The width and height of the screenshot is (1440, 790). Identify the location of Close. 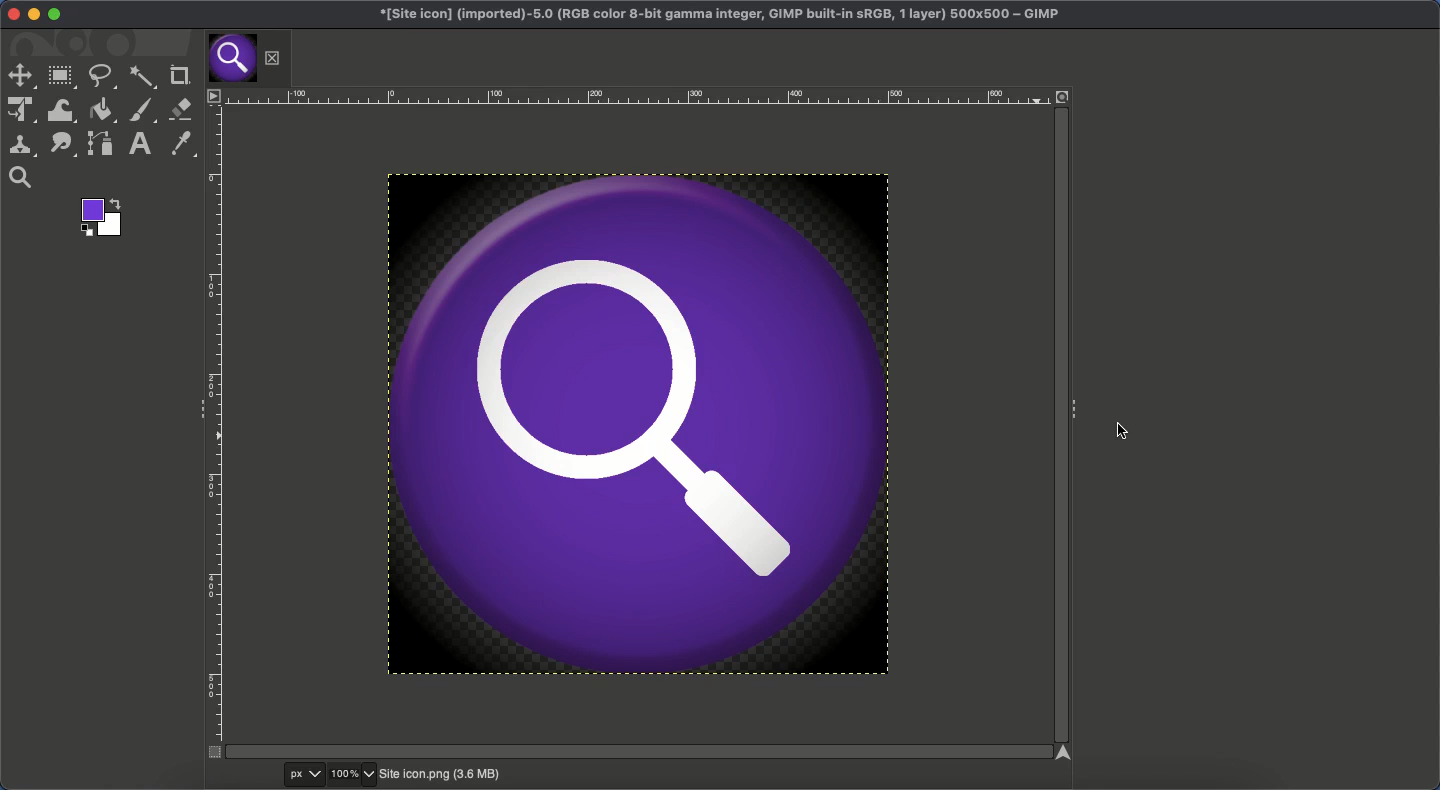
(9, 14).